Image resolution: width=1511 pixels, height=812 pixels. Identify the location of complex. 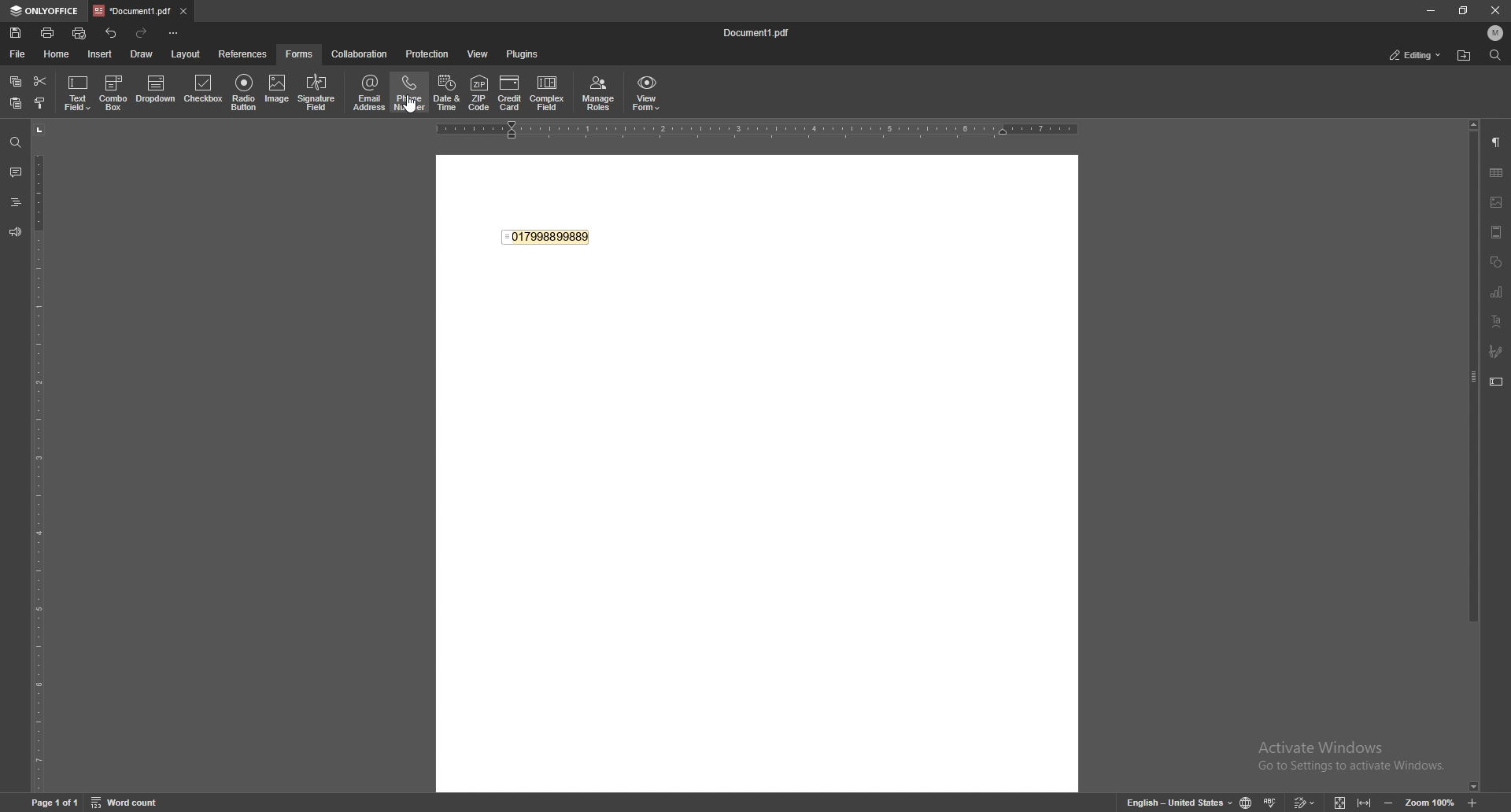
(547, 93).